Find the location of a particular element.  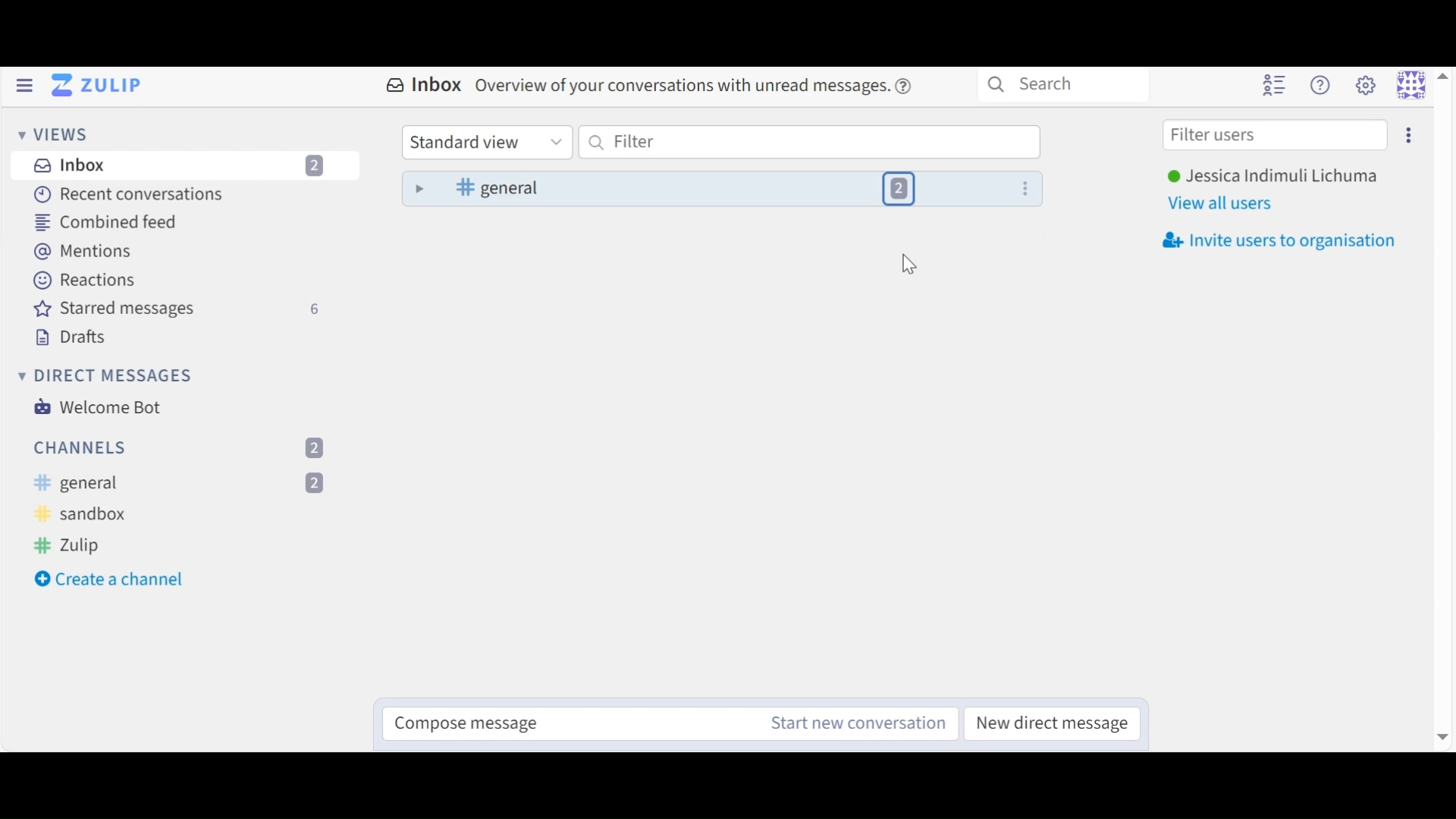

Combined Feed is located at coordinates (111, 221).